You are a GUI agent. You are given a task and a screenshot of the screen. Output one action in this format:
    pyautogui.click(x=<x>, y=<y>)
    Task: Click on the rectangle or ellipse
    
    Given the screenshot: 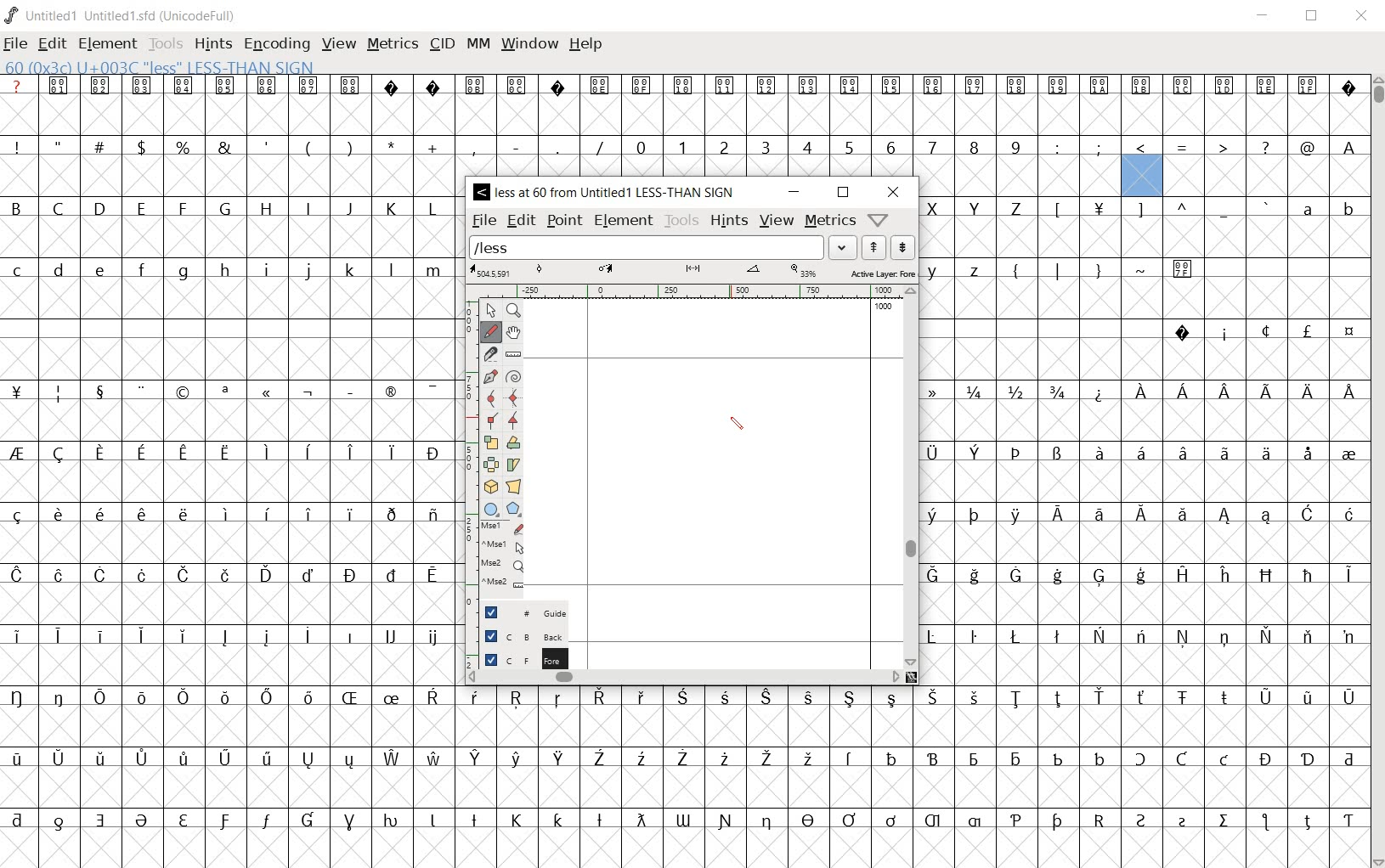 What is the action you would take?
    pyautogui.click(x=494, y=509)
    